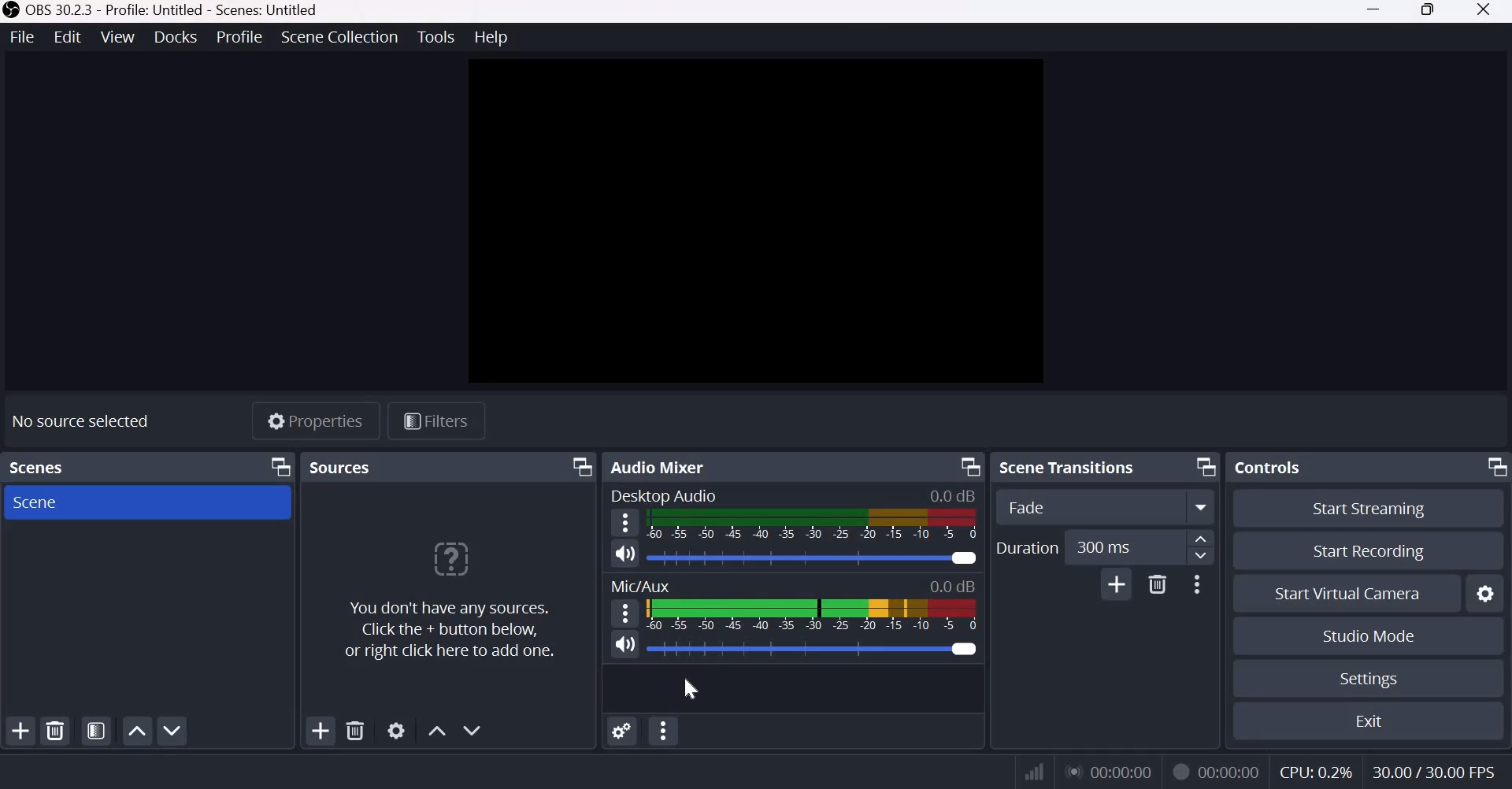  Describe the element at coordinates (164, 12) in the screenshot. I see `OBS 30.2.3 - Profile: Untitled - Scenes:  Untitled` at that location.